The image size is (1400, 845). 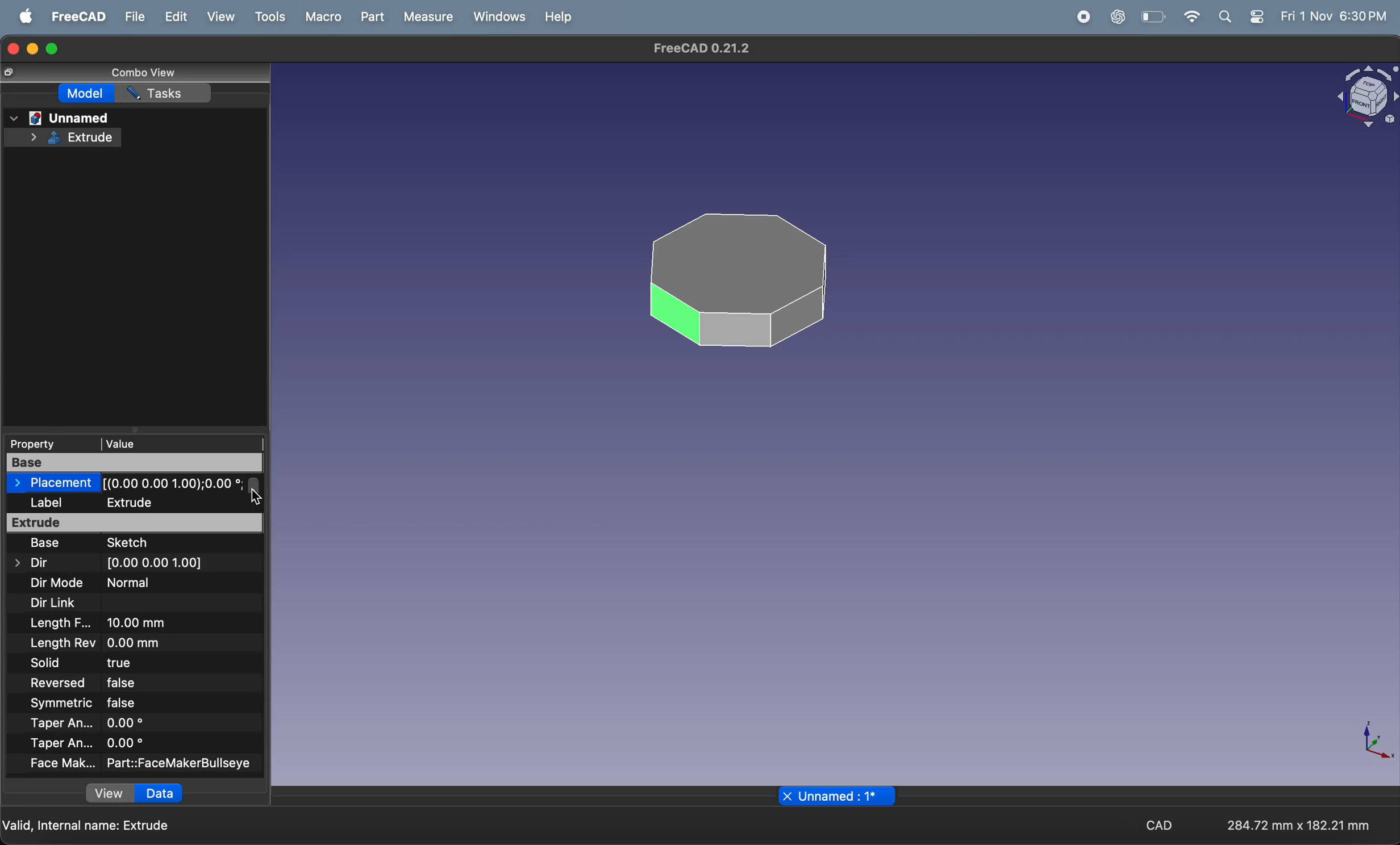 What do you see at coordinates (135, 523) in the screenshot?
I see `extrude` at bounding box center [135, 523].